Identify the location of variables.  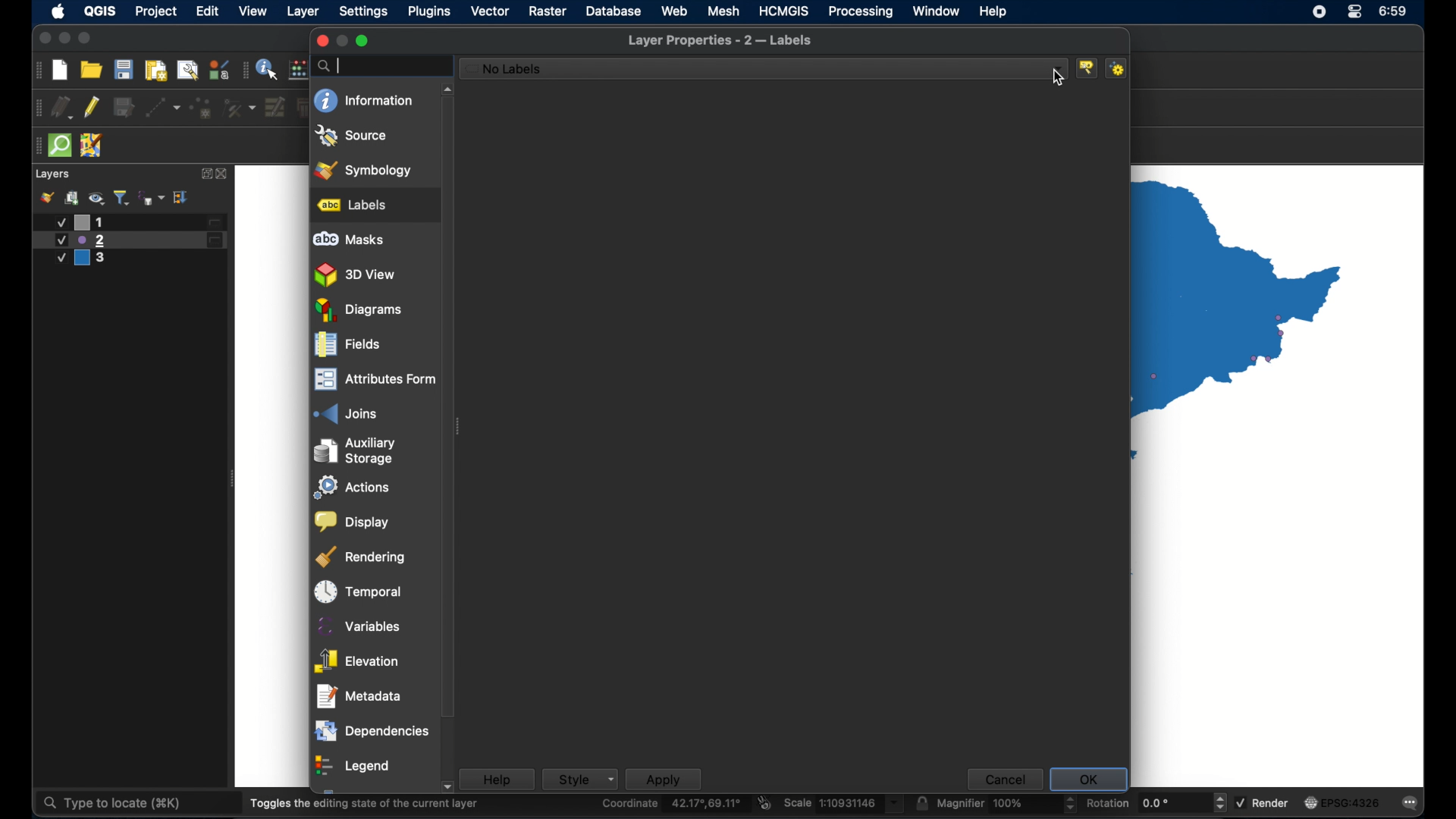
(357, 626).